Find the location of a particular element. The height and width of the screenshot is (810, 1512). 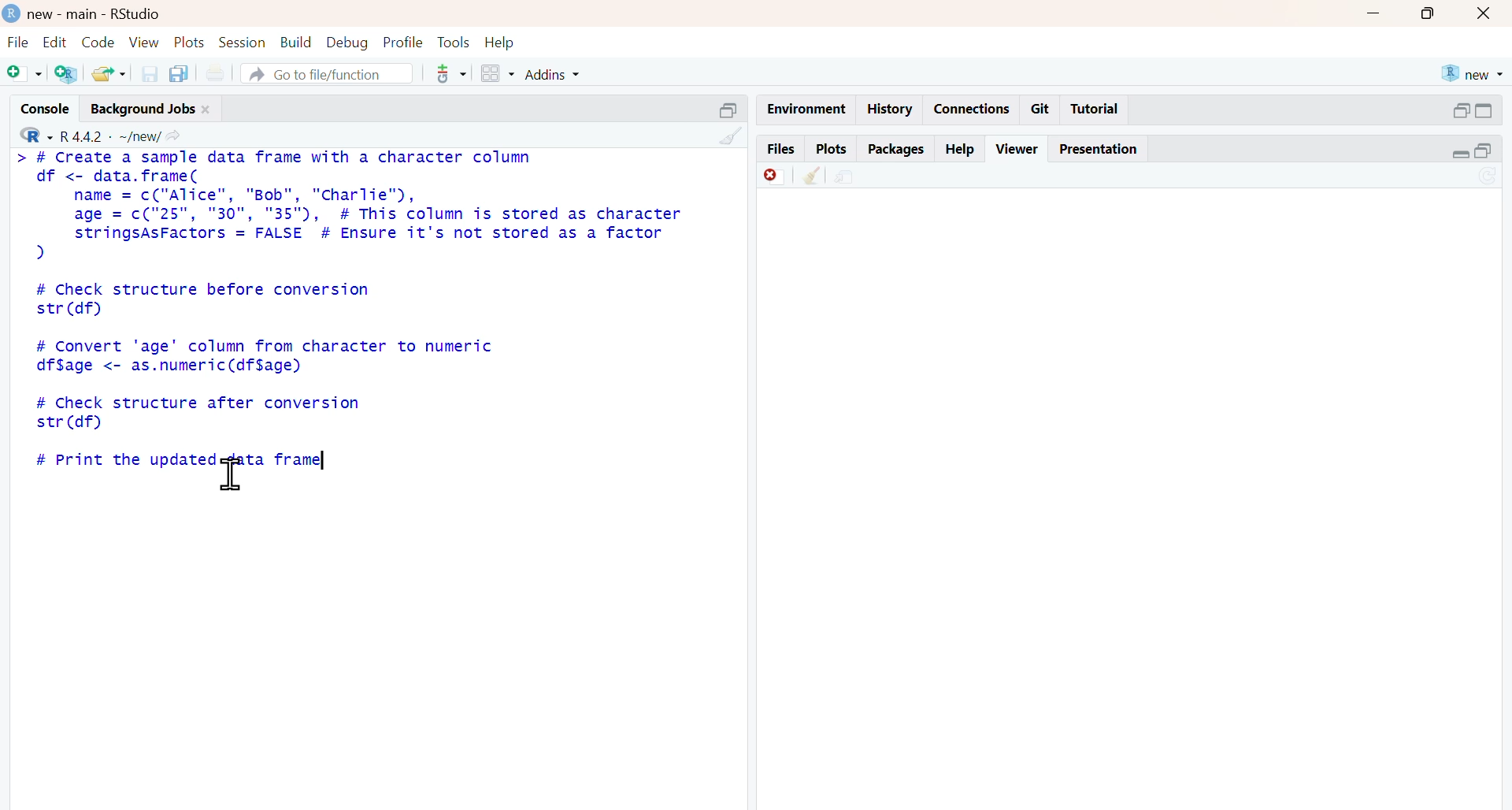

save is located at coordinates (150, 74).